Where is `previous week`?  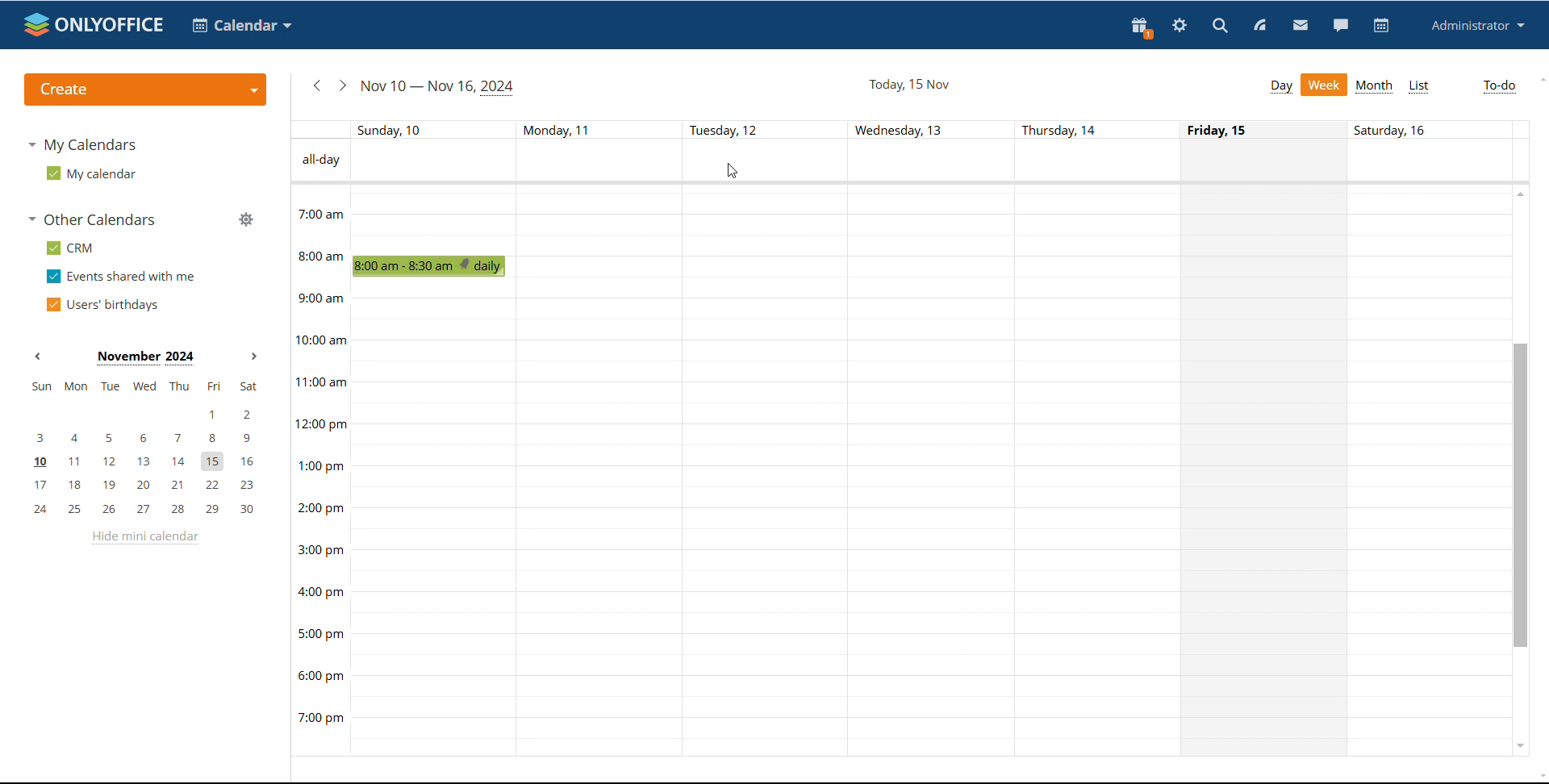
previous week is located at coordinates (316, 85).